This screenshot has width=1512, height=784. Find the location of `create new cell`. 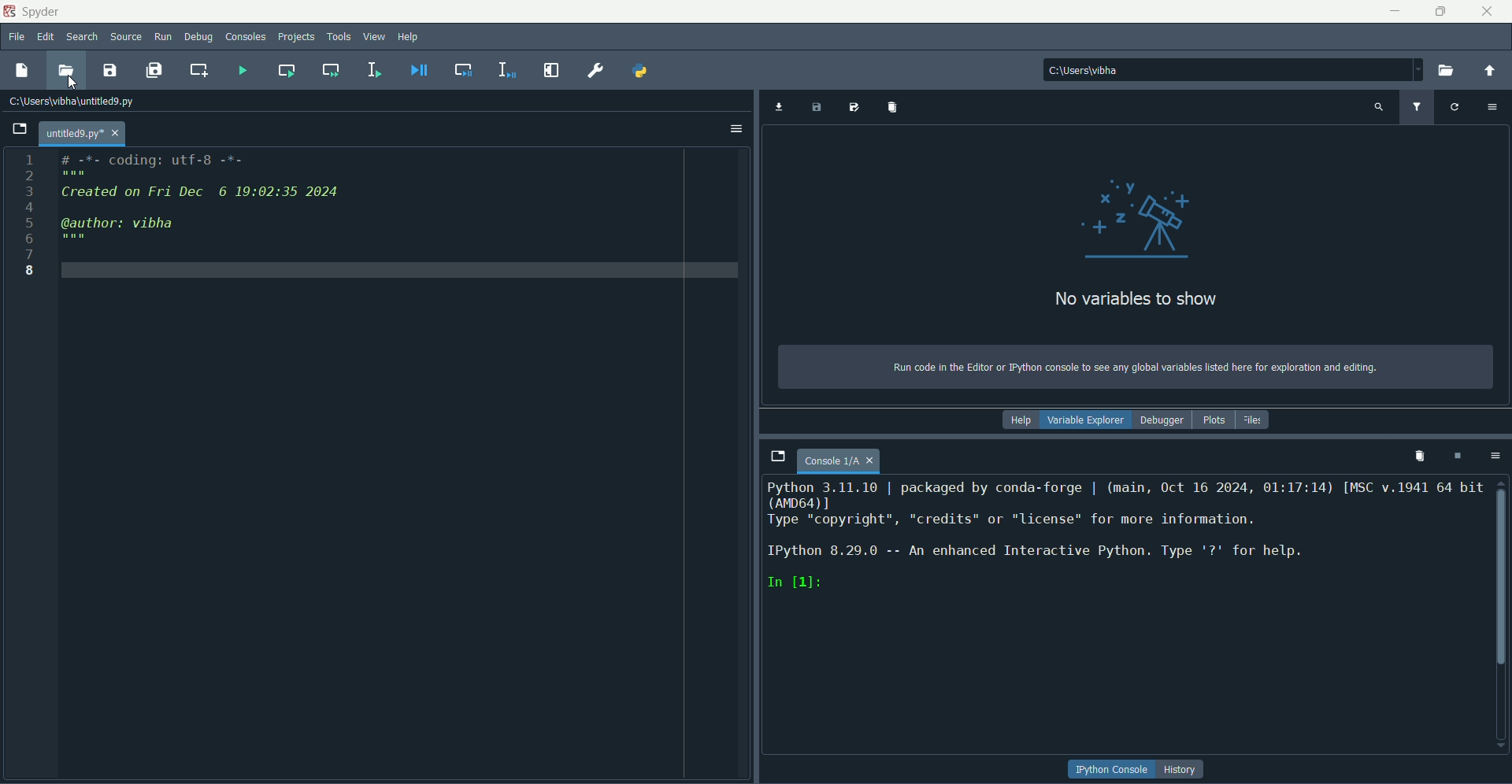

create new cell is located at coordinates (202, 70).